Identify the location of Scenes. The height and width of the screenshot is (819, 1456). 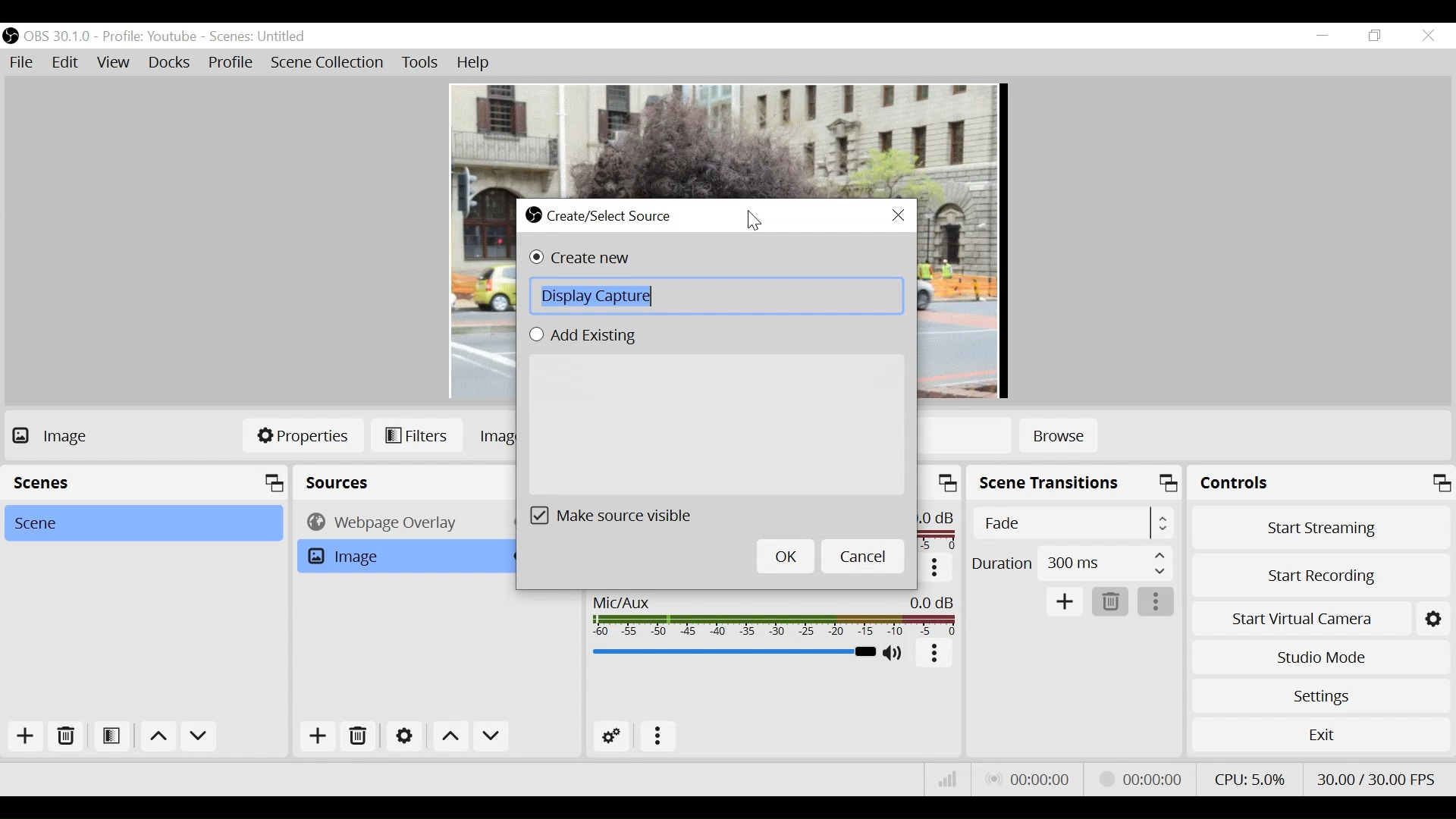
(259, 37).